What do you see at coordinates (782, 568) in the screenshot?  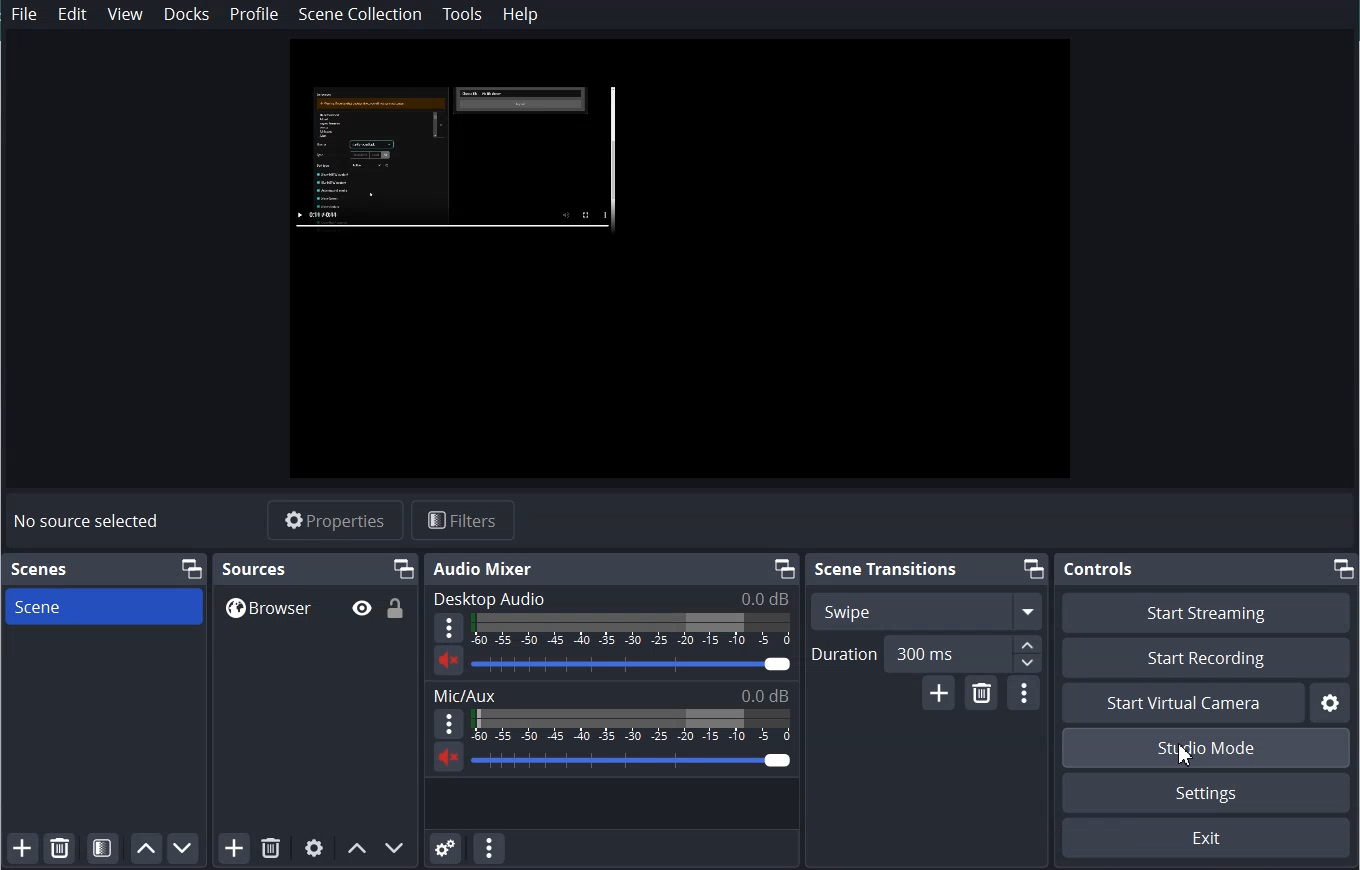 I see `Maximize` at bounding box center [782, 568].